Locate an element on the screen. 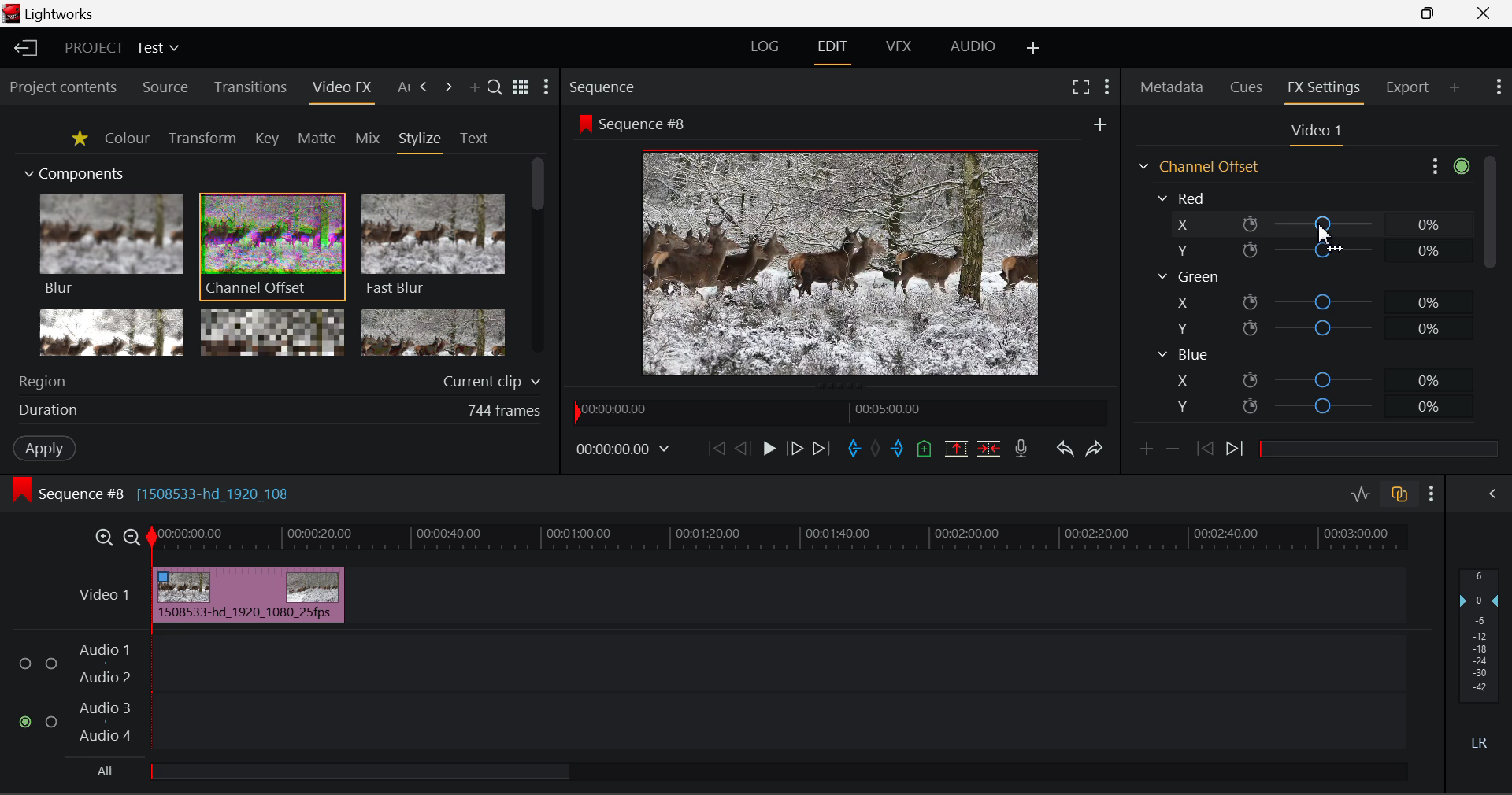  Export is located at coordinates (1408, 87).